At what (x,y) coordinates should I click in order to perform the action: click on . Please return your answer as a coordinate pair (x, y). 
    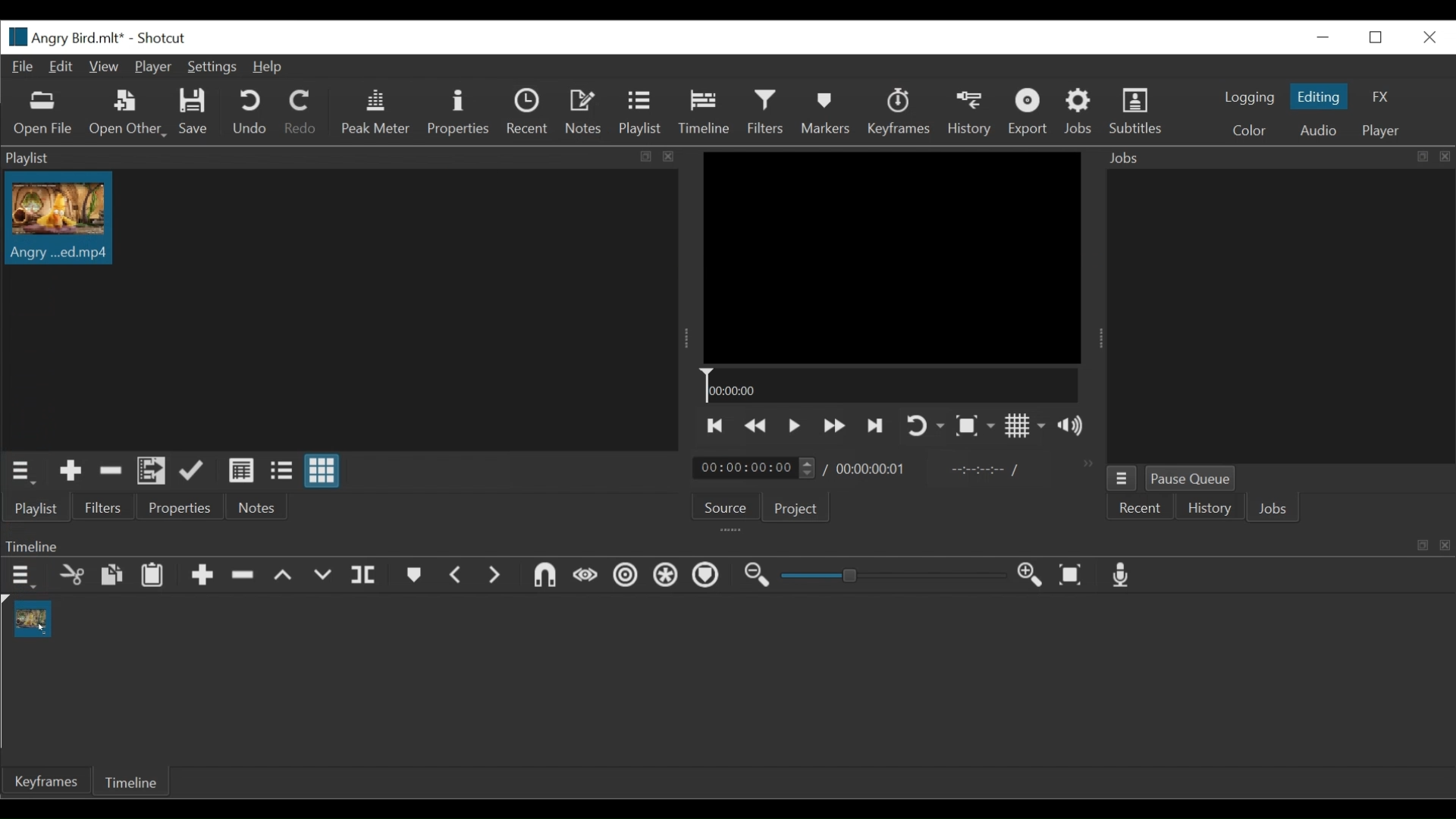
    Looking at the image, I should click on (1250, 99).